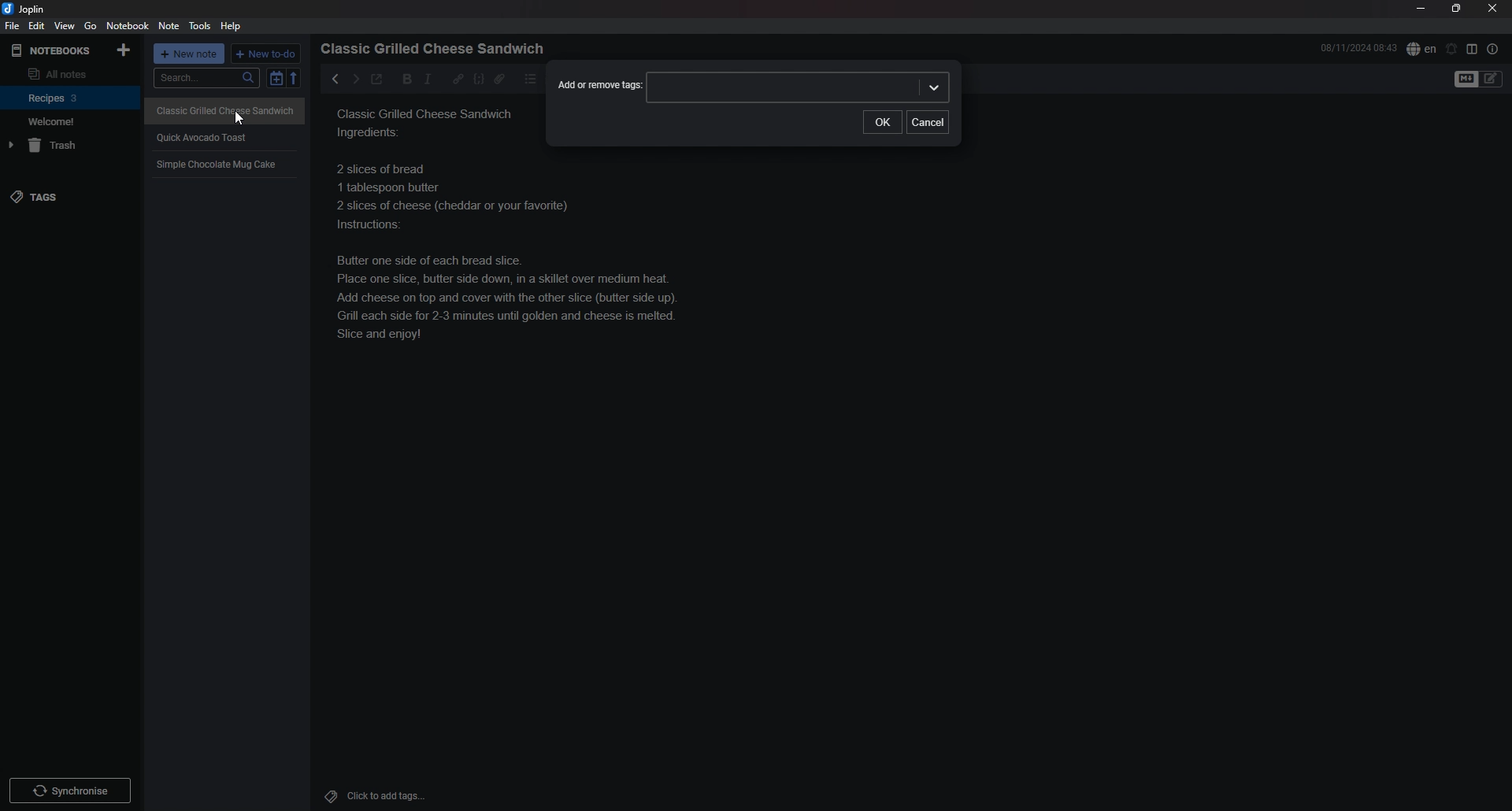  What do you see at coordinates (458, 78) in the screenshot?
I see `hyperlink` at bounding box center [458, 78].